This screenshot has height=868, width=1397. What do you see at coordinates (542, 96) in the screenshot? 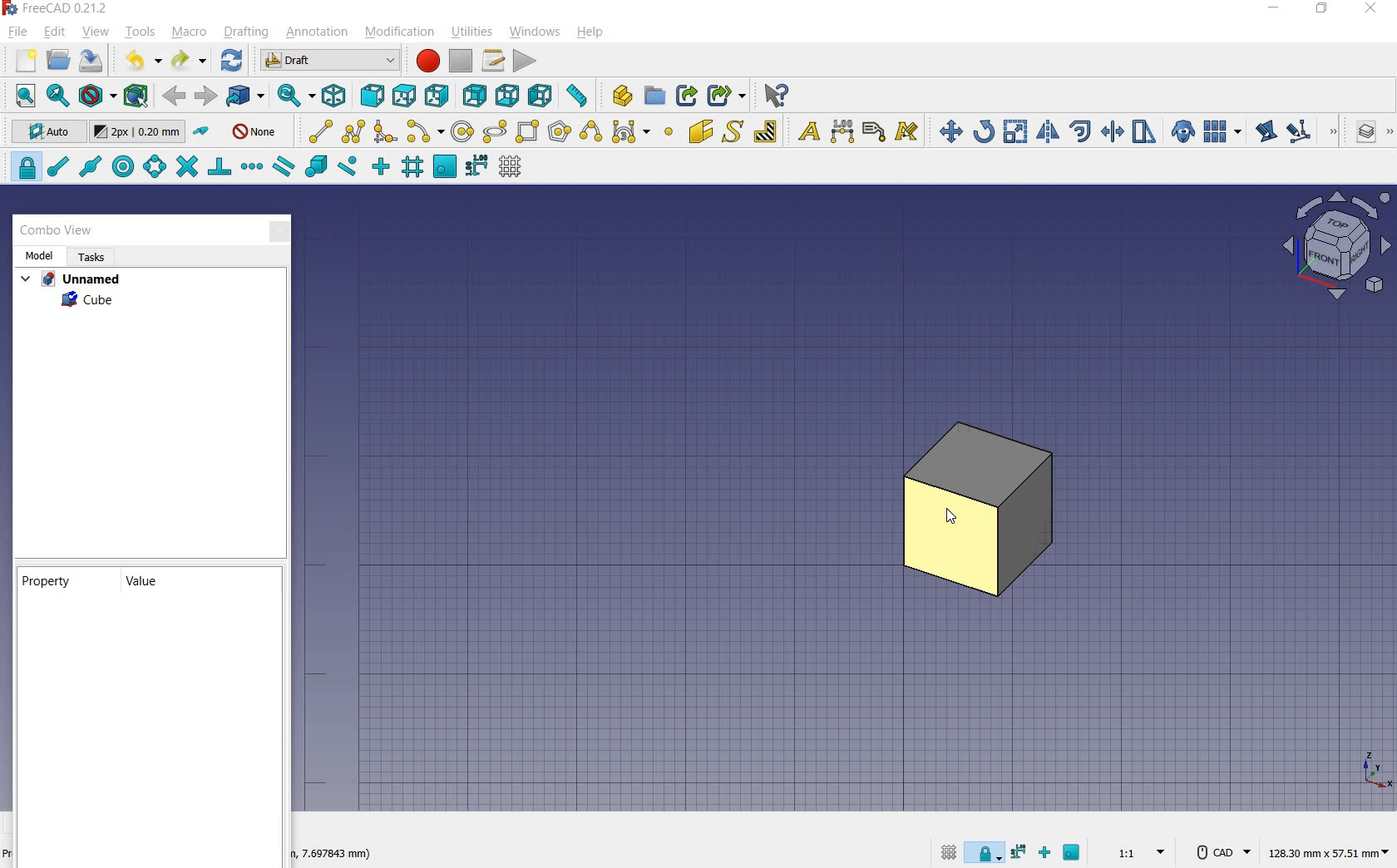
I see `left` at bounding box center [542, 96].